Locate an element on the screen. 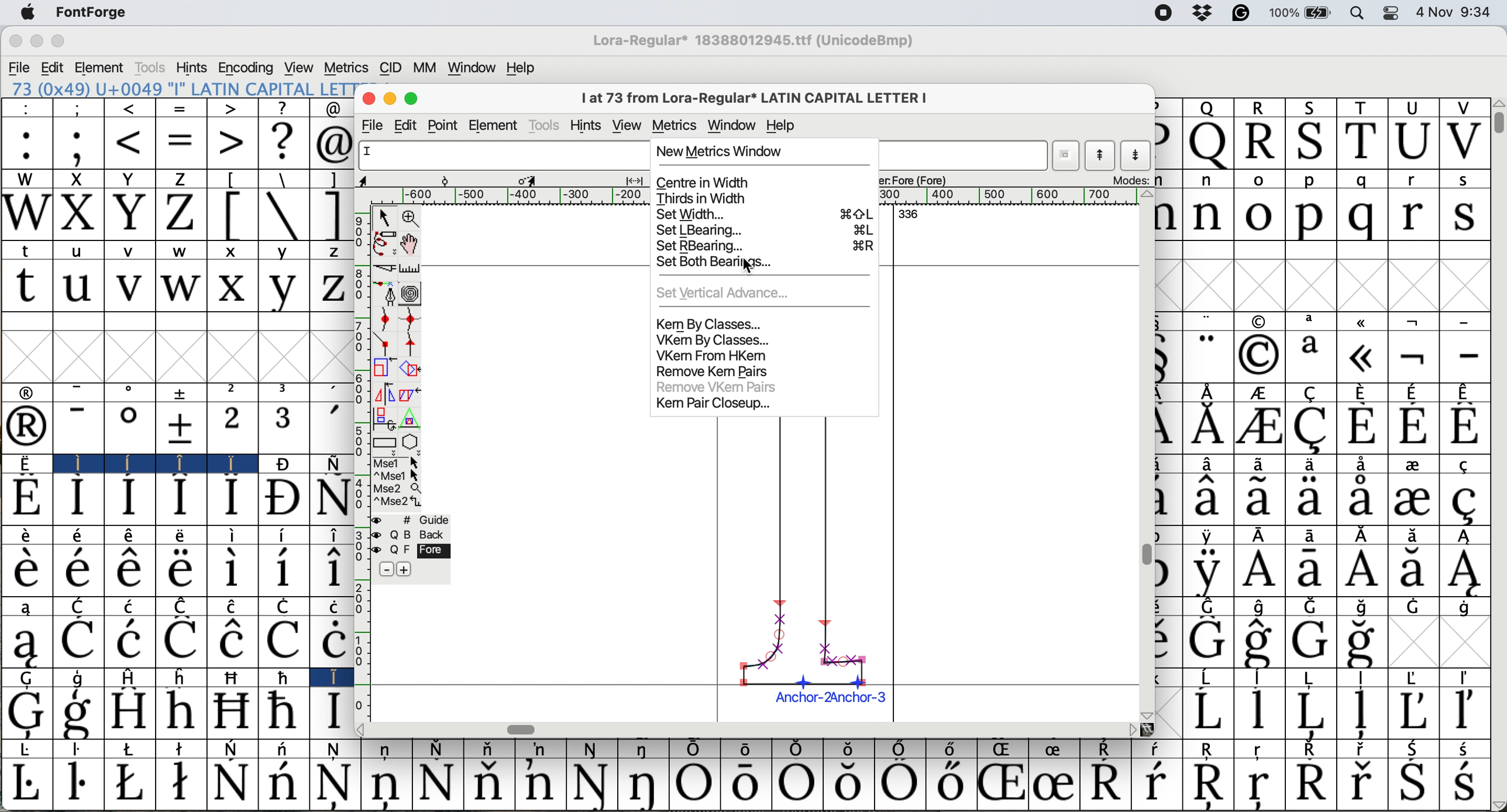   is located at coordinates (1148, 713).